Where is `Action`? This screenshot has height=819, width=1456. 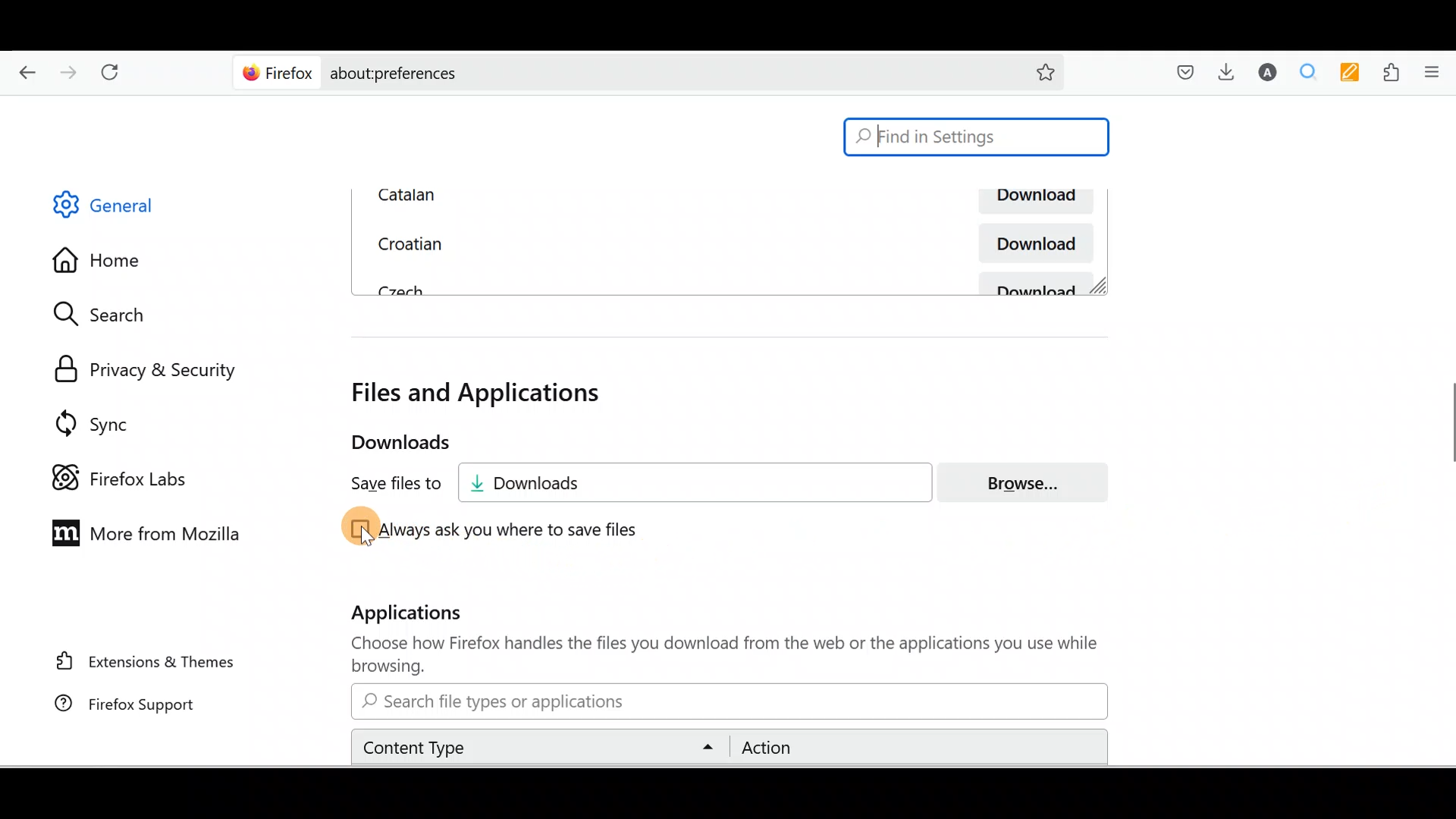
Action is located at coordinates (914, 748).